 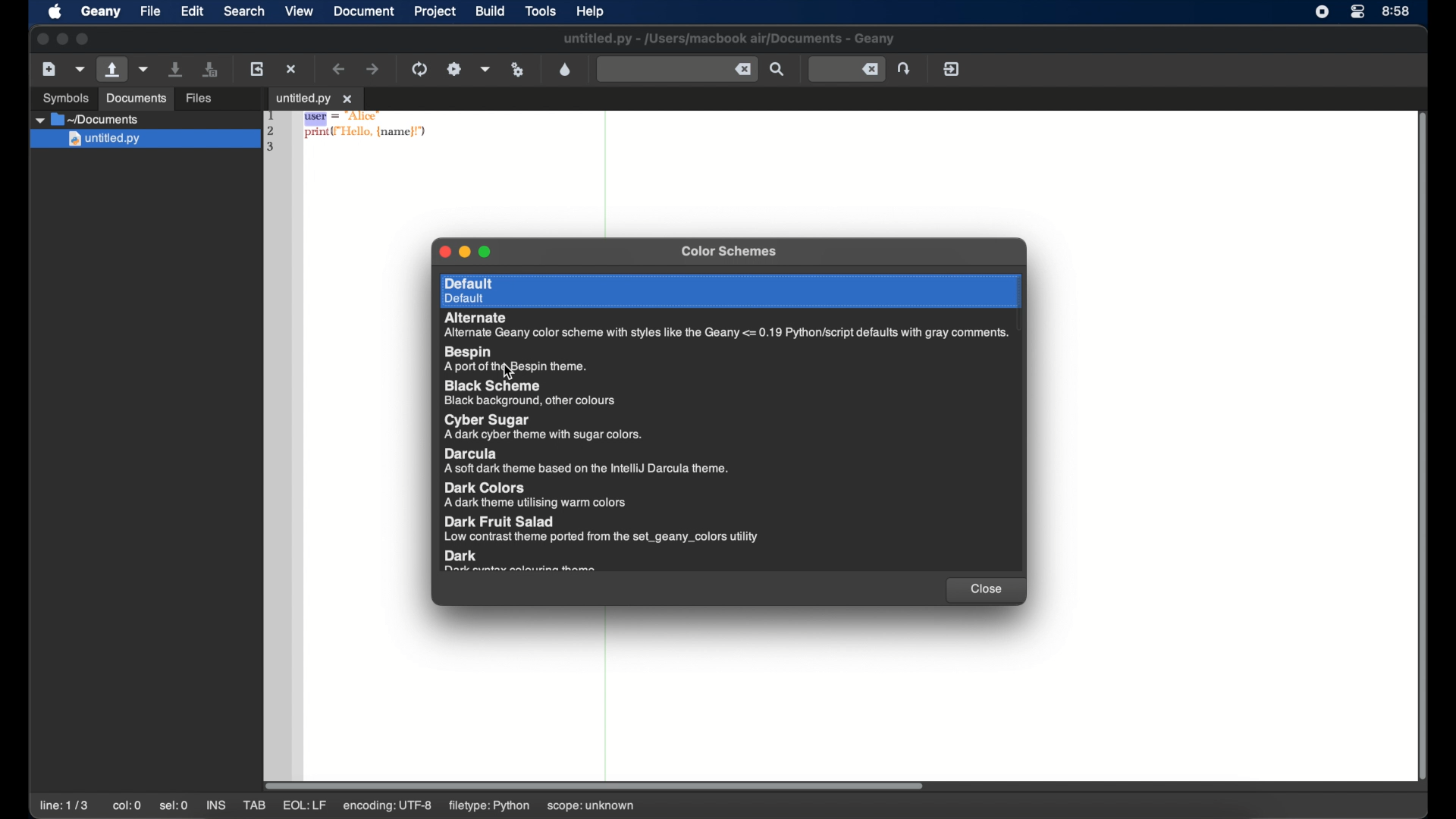 I want to click on edit, so click(x=191, y=12).